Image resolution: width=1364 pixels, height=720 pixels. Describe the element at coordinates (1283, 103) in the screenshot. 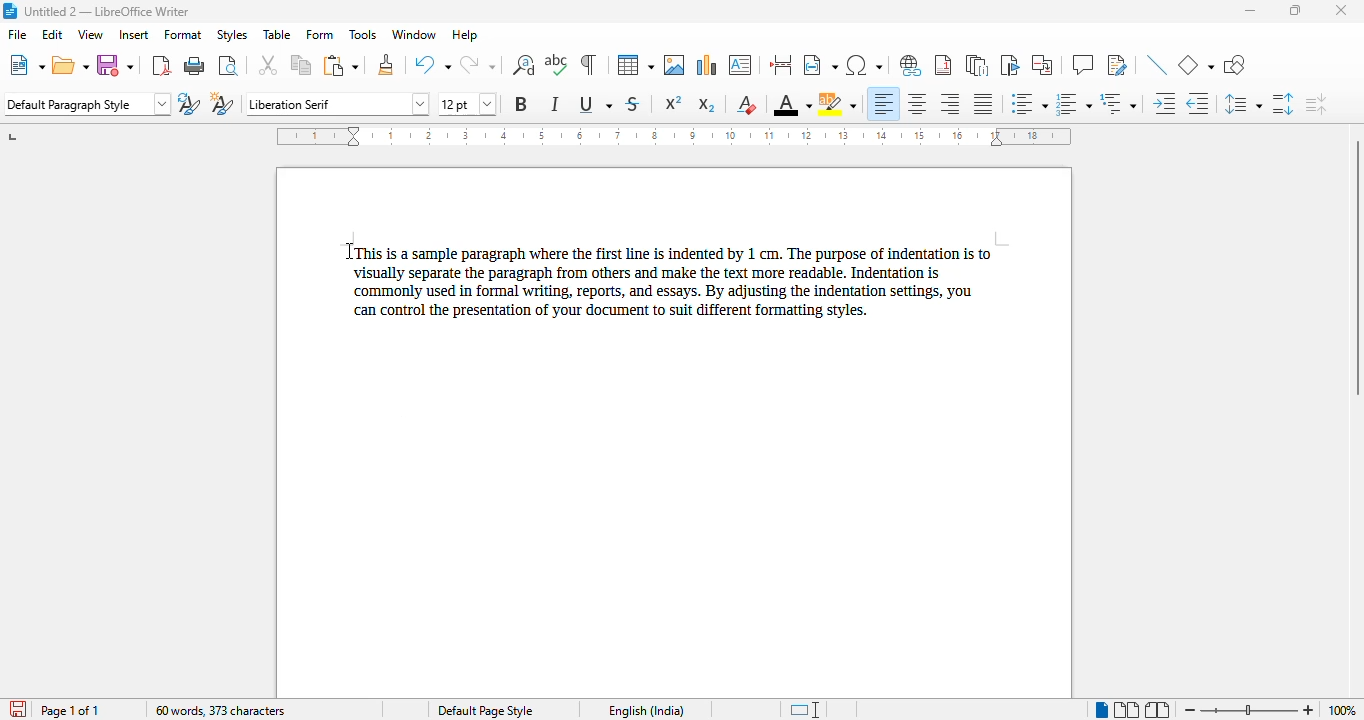

I see `increase paragraph spacing` at that location.